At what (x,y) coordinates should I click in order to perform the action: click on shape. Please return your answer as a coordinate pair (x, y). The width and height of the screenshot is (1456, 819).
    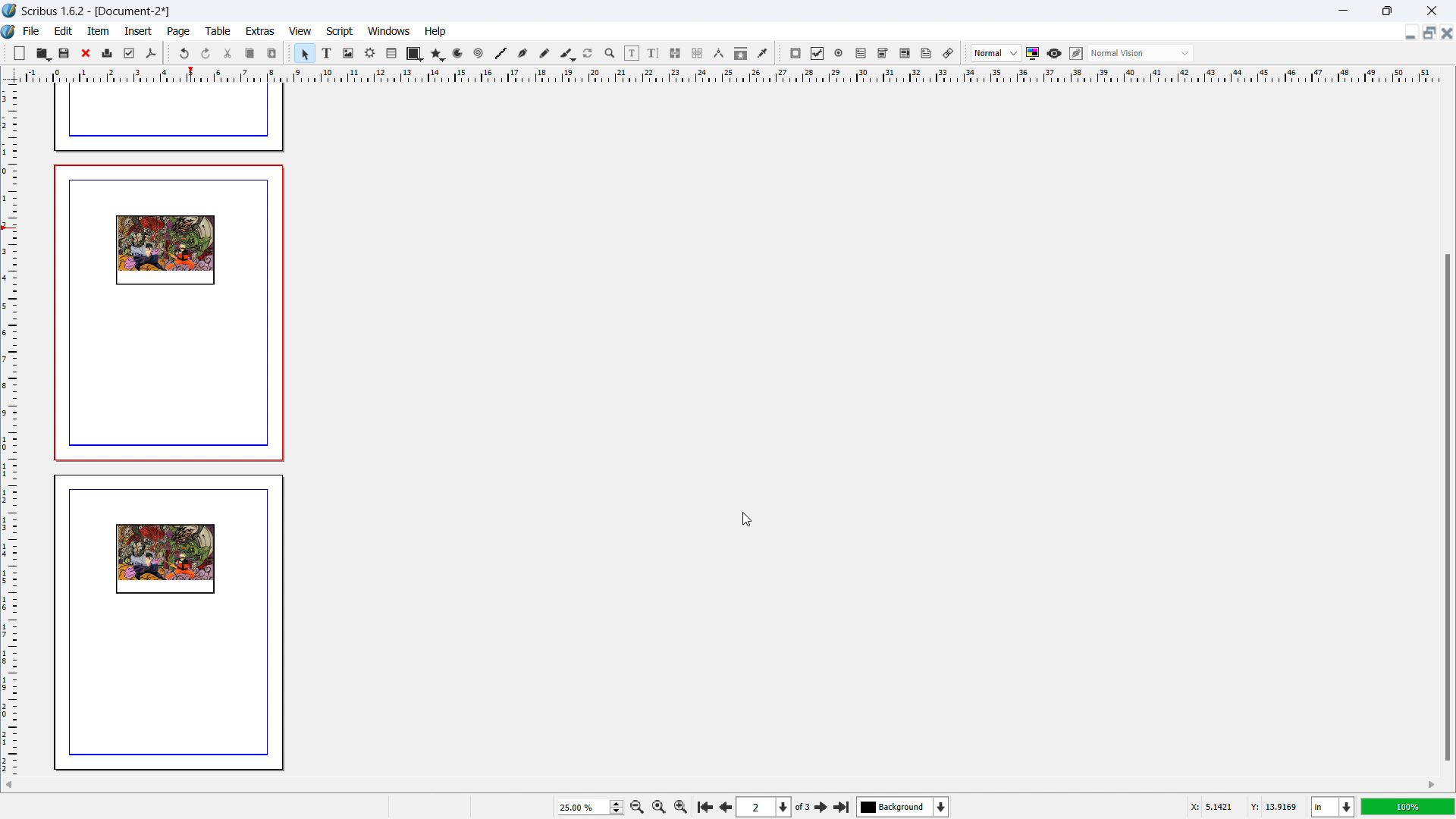
    Looking at the image, I should click on (415, 54).